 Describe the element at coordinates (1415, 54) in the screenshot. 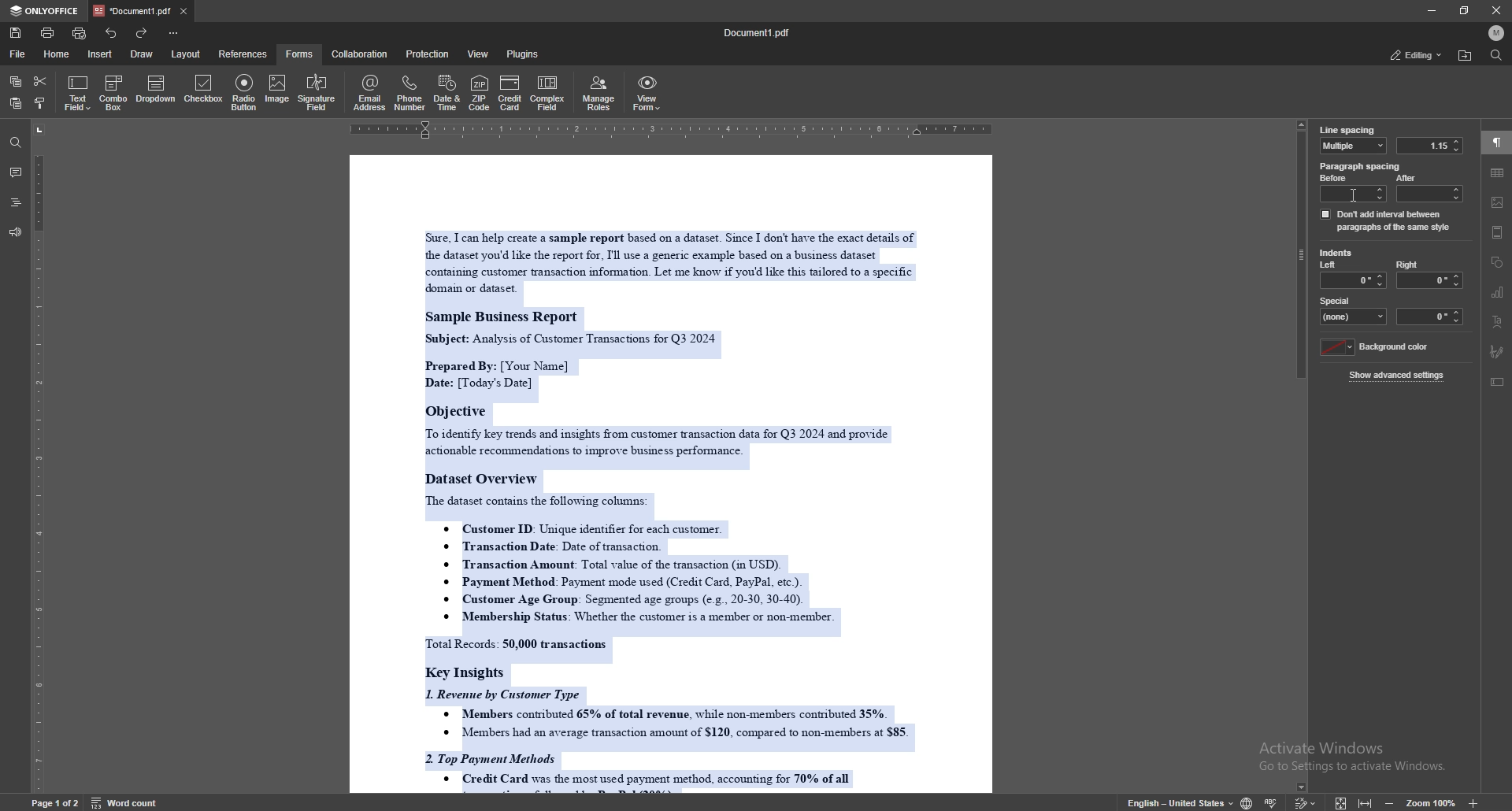

I see `status` at that location.